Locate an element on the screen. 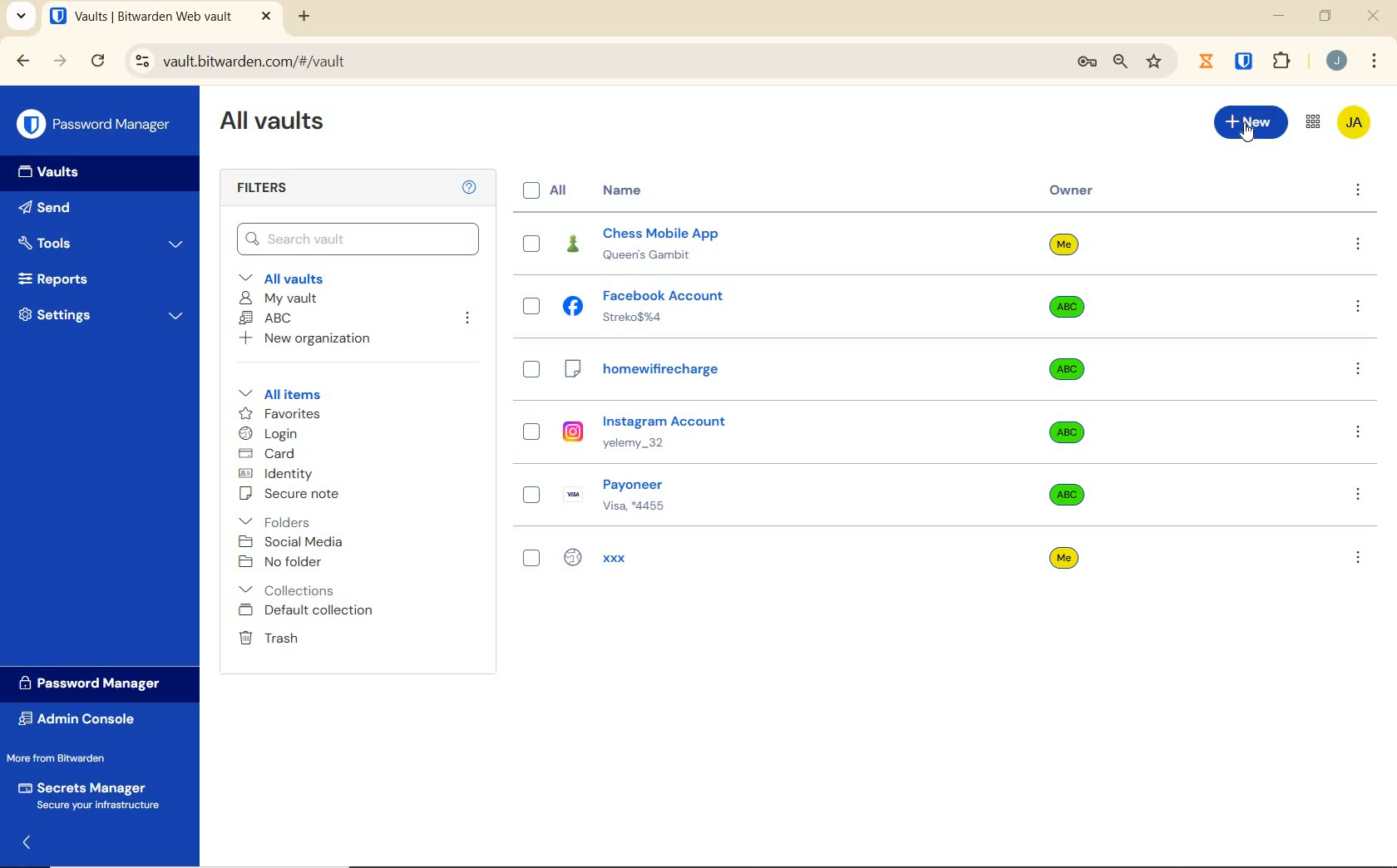 The height and width of the screenshot is (868, 1397). All vaults is located at coordinates (299, 278).